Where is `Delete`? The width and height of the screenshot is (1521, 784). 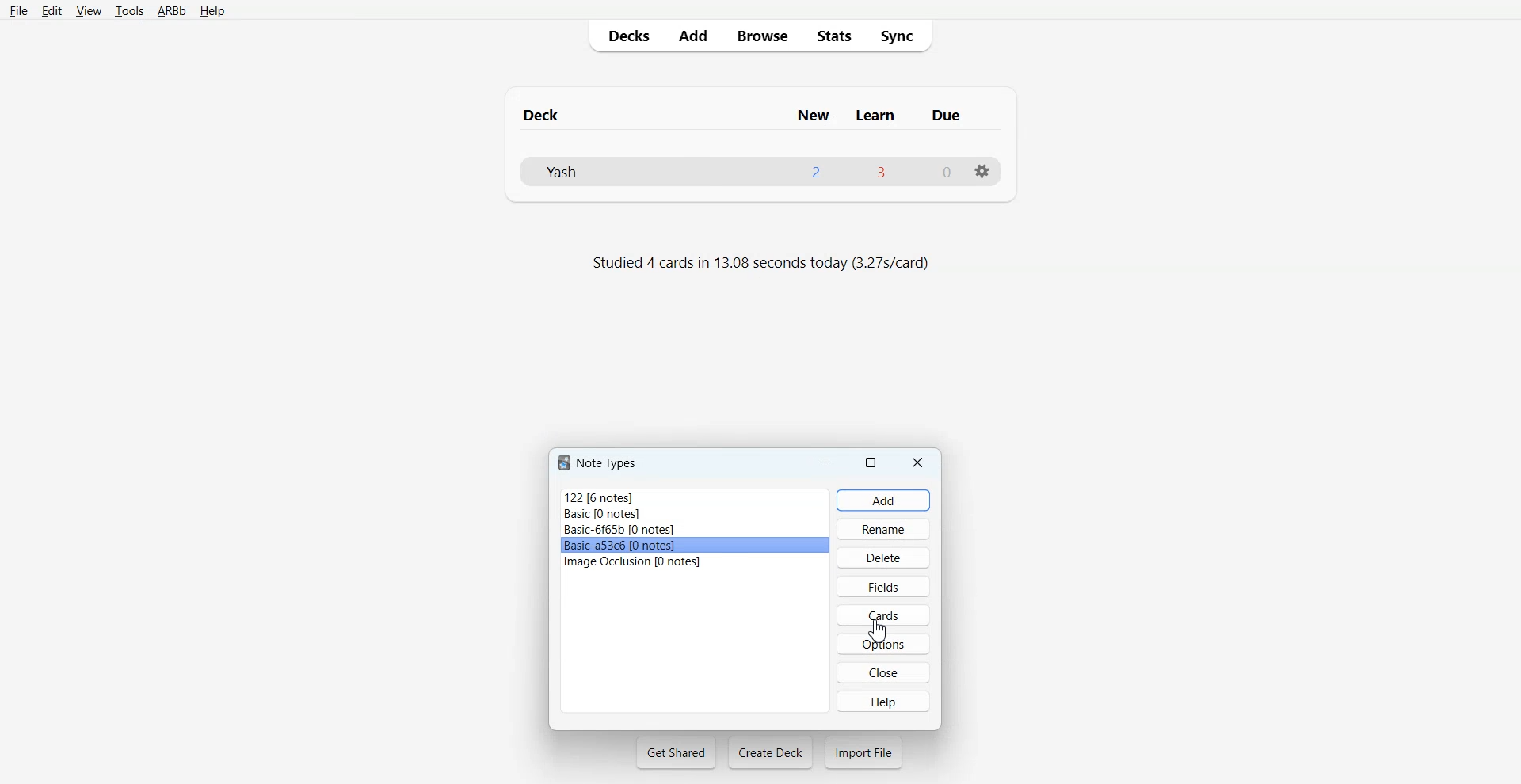
Delete is located at coordinates (883, 557).